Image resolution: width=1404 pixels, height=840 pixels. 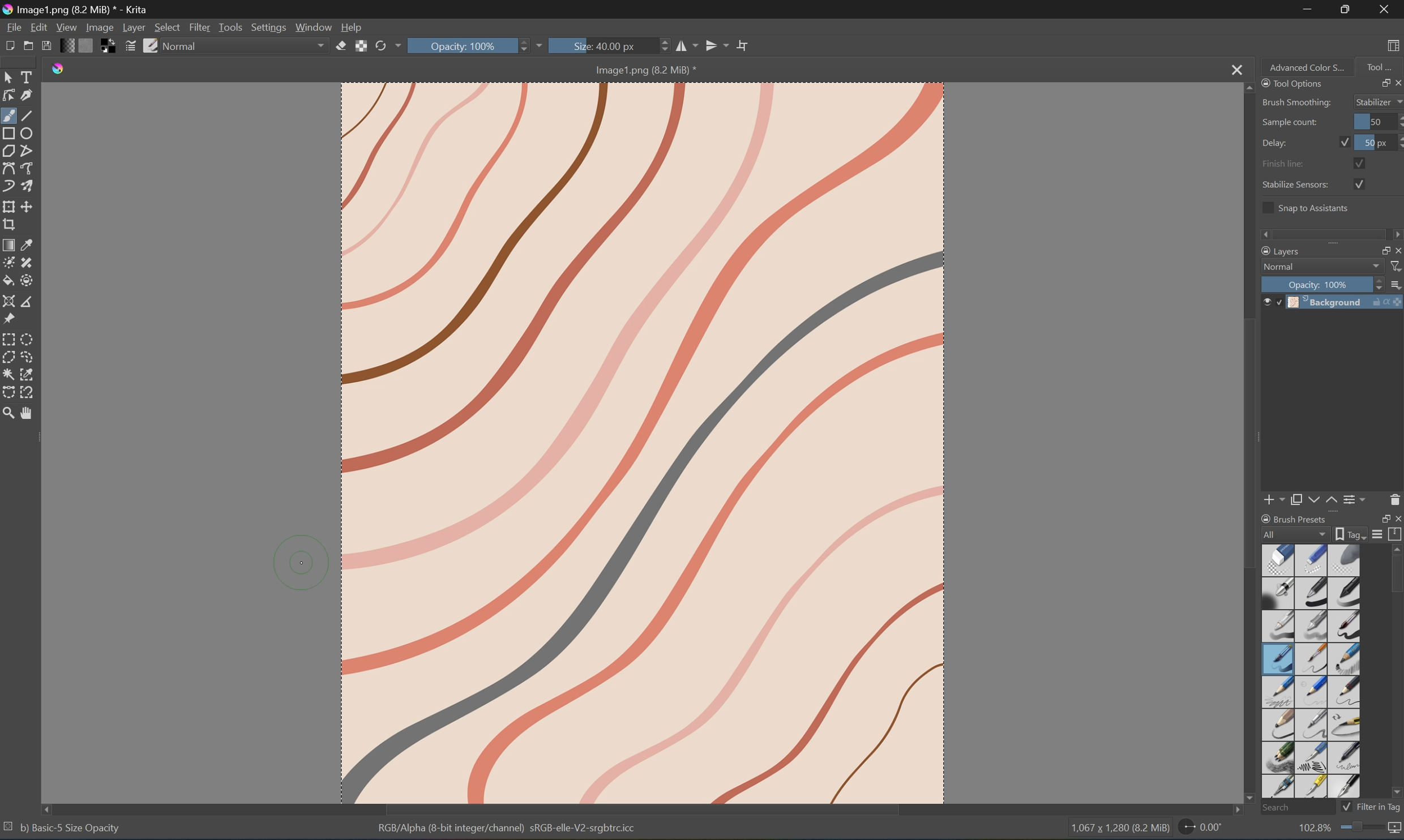 What do you see at coordinates (1347, 302) in the screenshot?
I see `Background` at bounding box center [1347, 302].